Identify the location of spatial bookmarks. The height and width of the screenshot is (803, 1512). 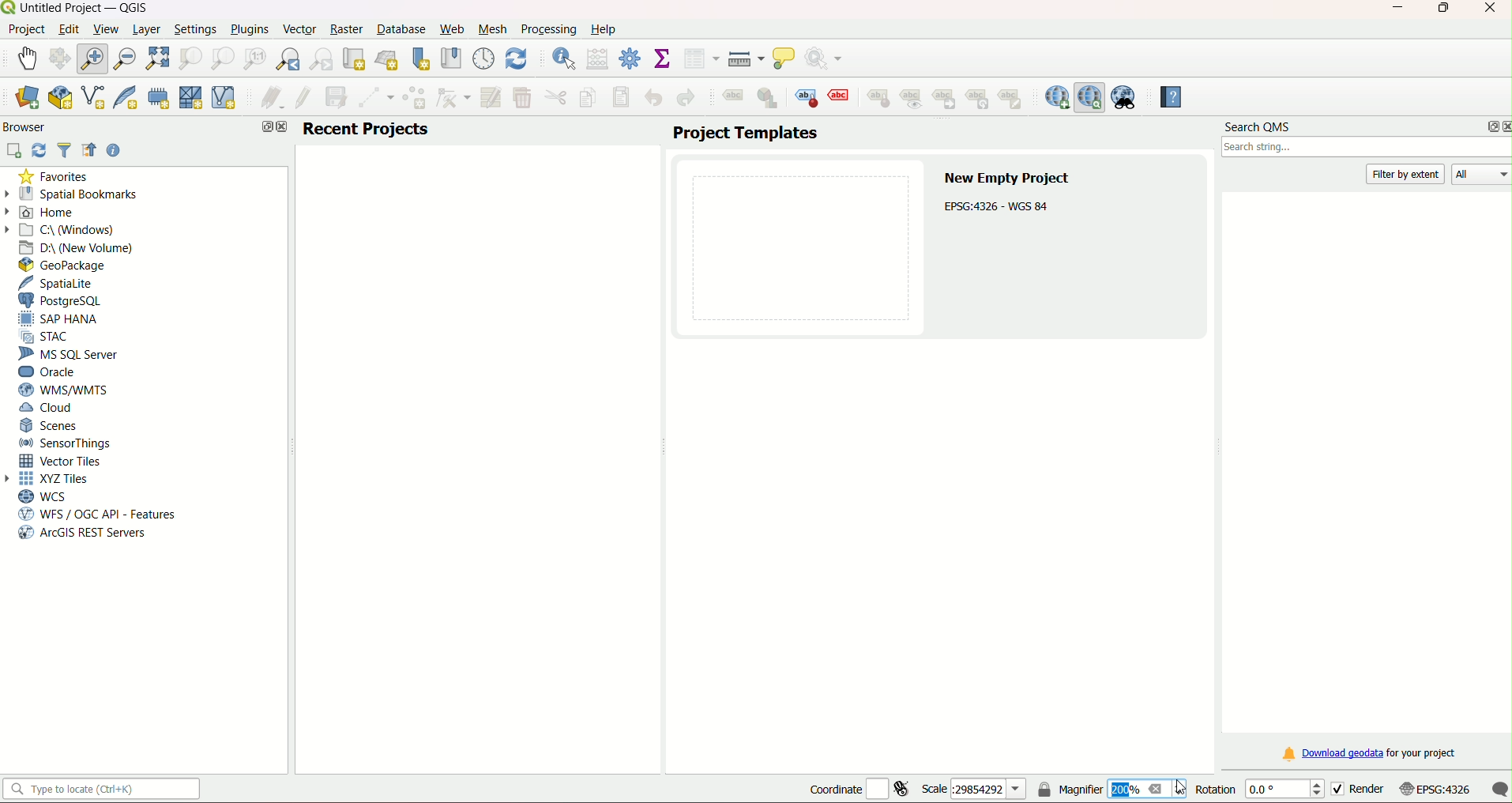
(81, 194).